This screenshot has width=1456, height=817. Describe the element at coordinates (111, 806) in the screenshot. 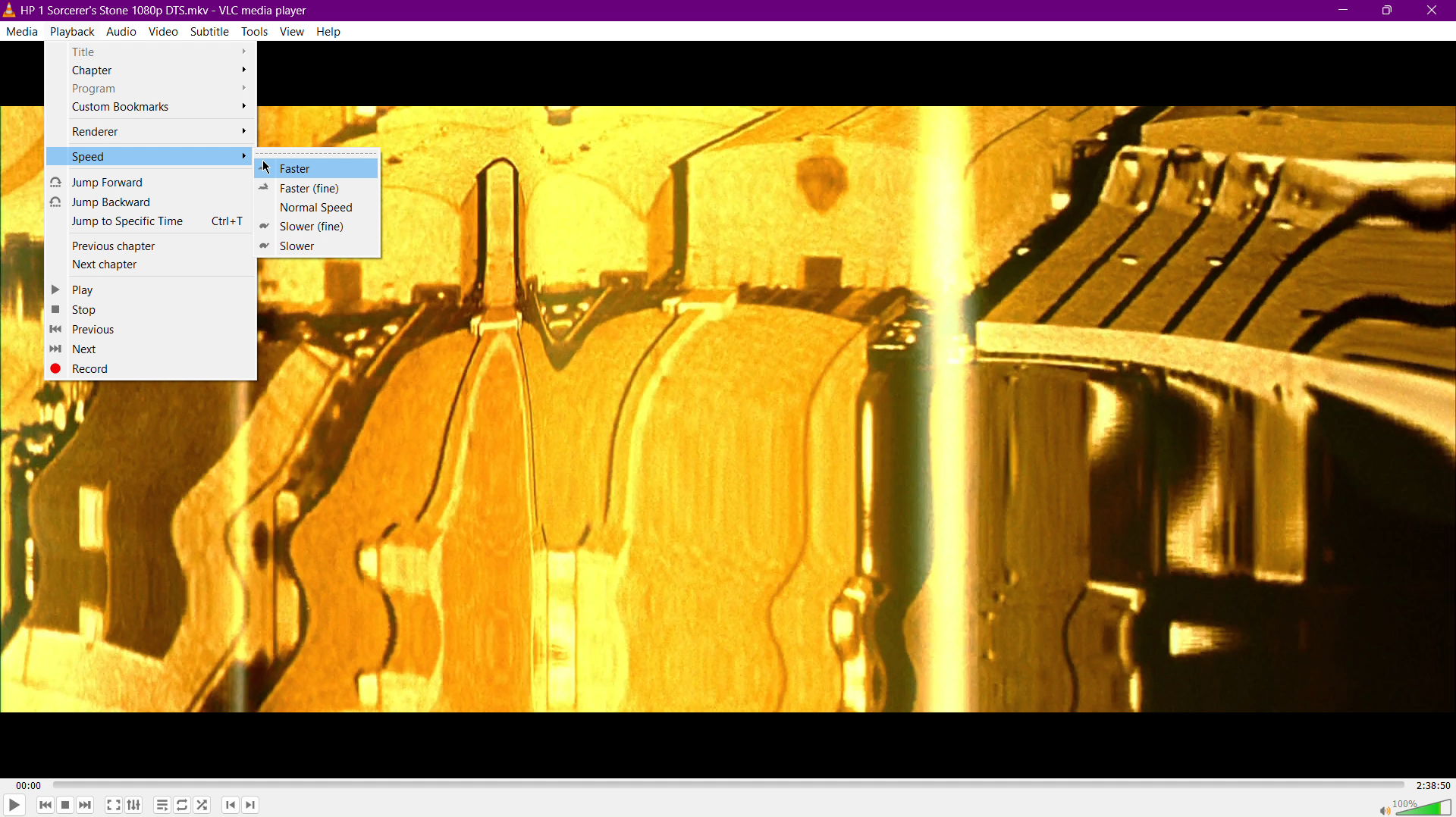

I see `Fullscreen` at that location.